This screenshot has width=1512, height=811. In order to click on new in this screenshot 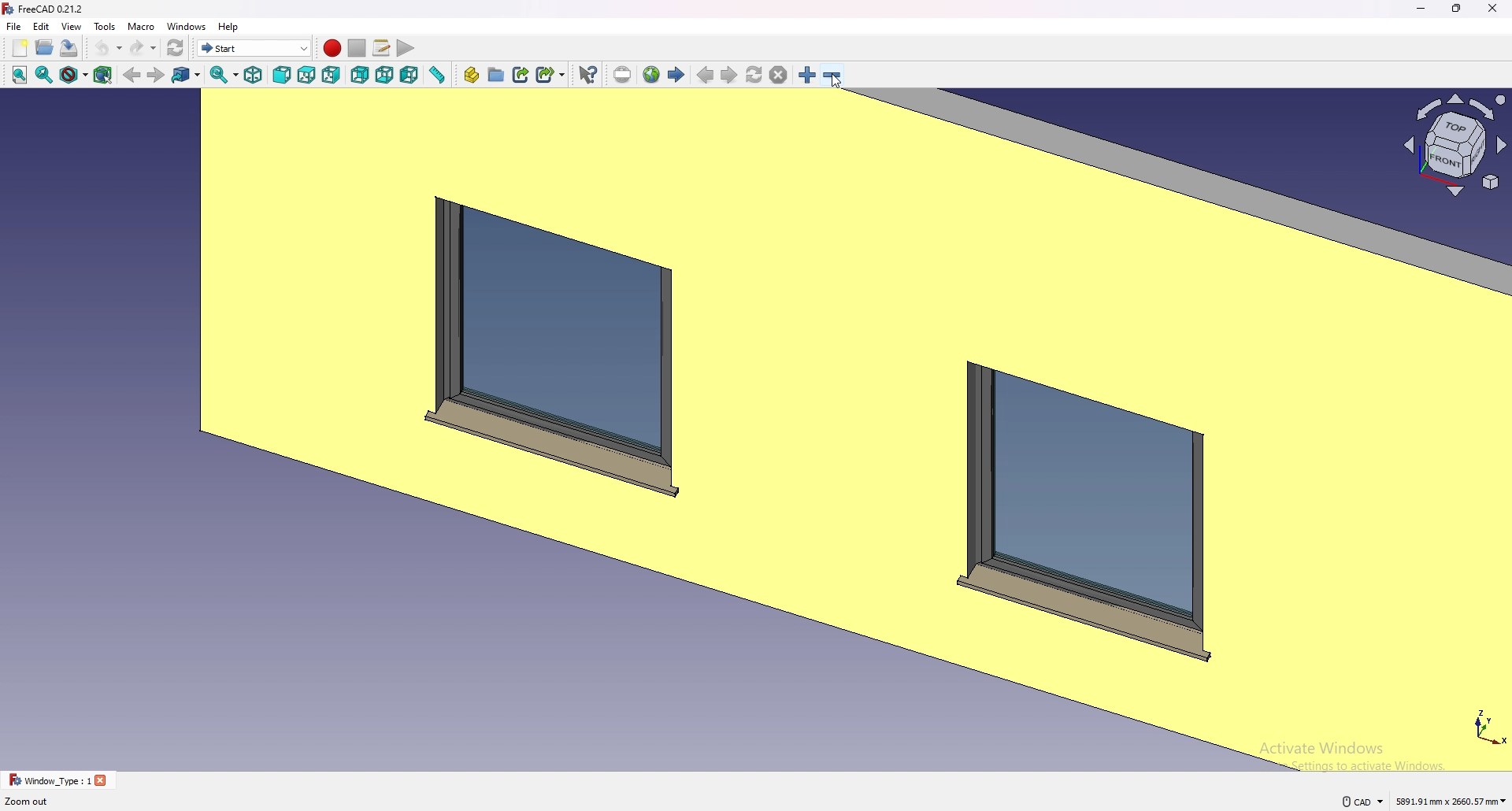, I will do `click(20, 48)`.